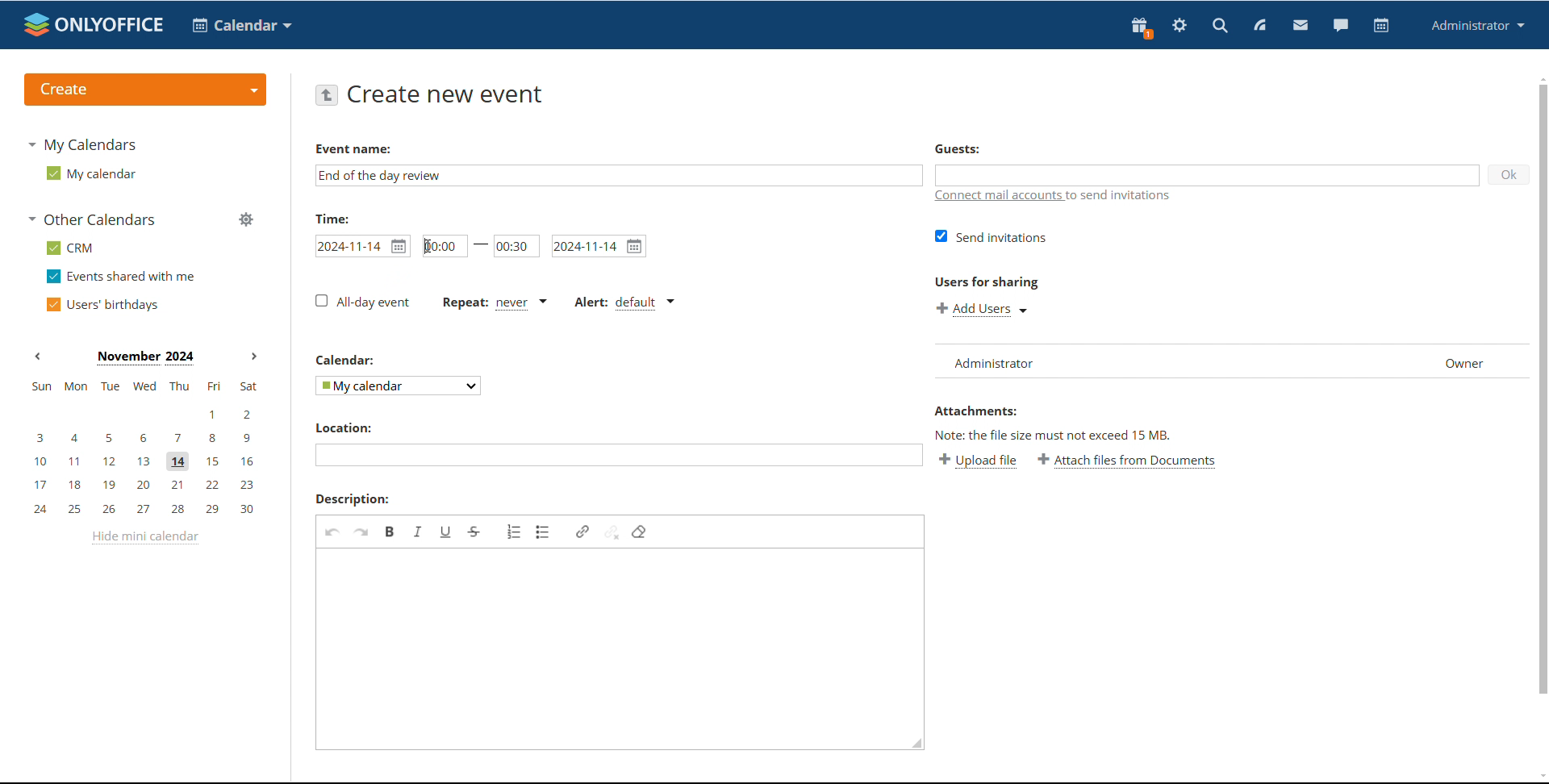 The width and height of the screenshot is (1549, 784). I want to click on connect mail accounts, so click(1053, 196).